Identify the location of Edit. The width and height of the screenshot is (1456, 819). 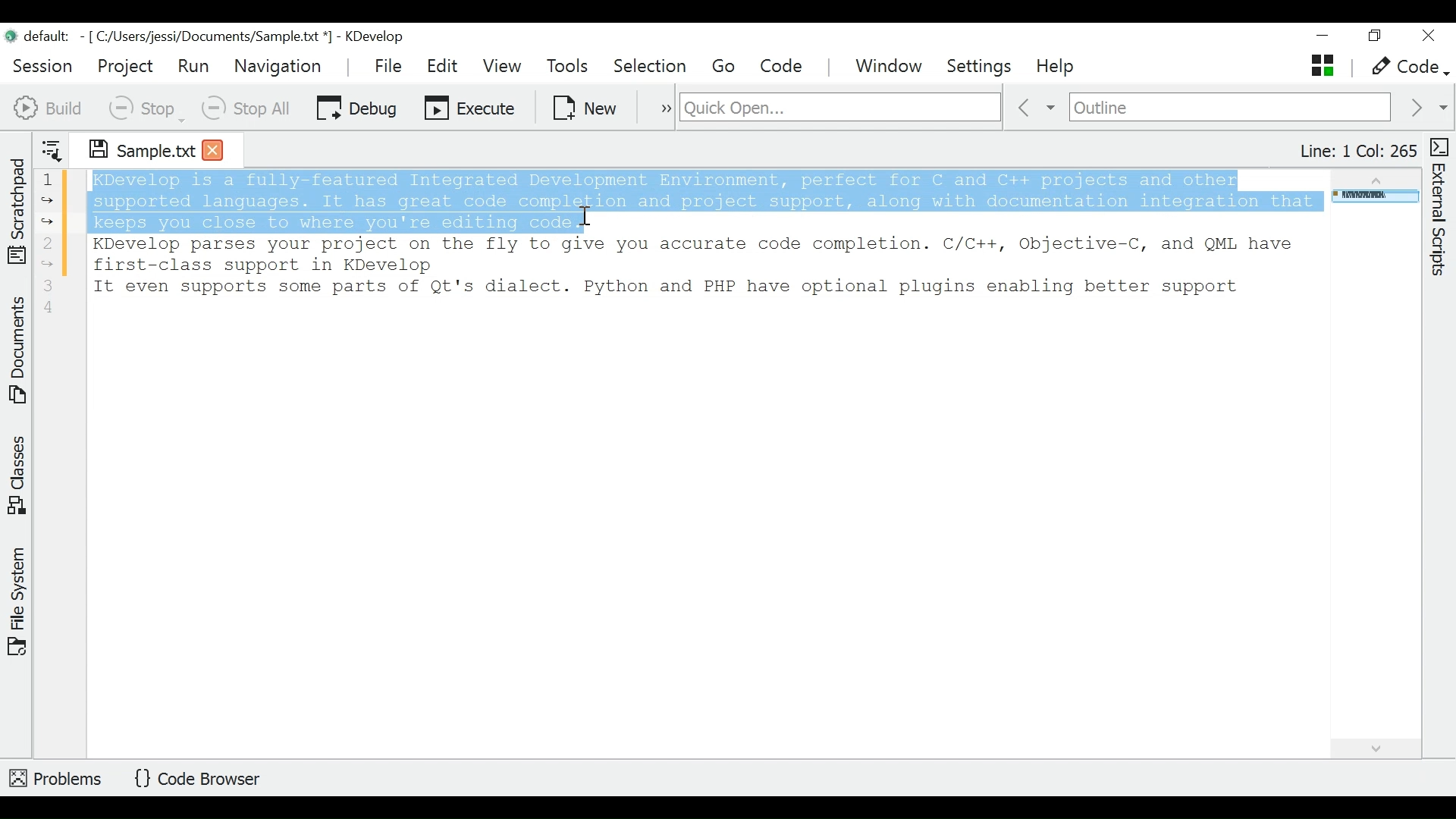
(444, 66).